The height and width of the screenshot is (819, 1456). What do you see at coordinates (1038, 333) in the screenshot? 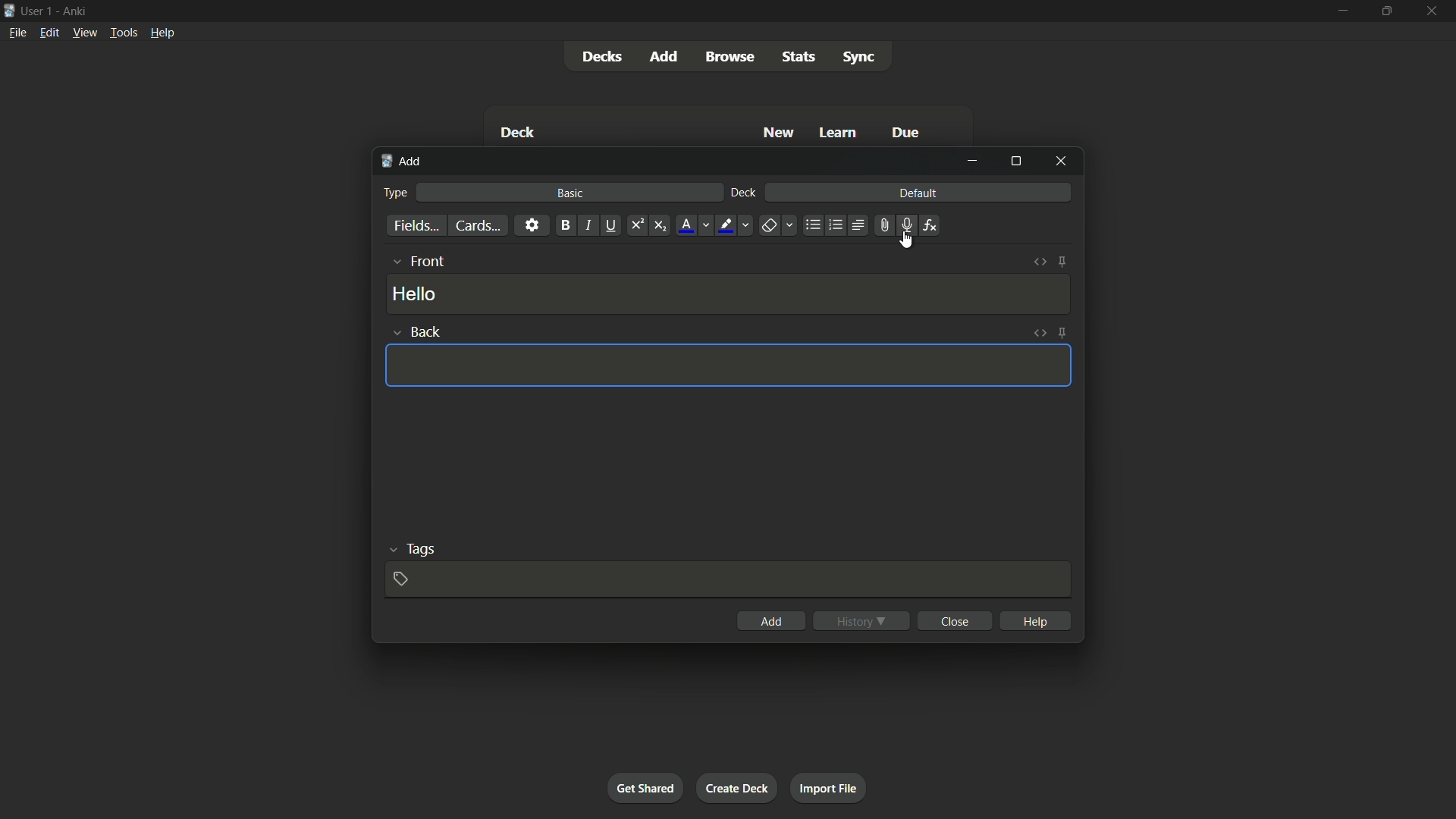
I see `toggle html editor` at bounding box center [1038, 333].